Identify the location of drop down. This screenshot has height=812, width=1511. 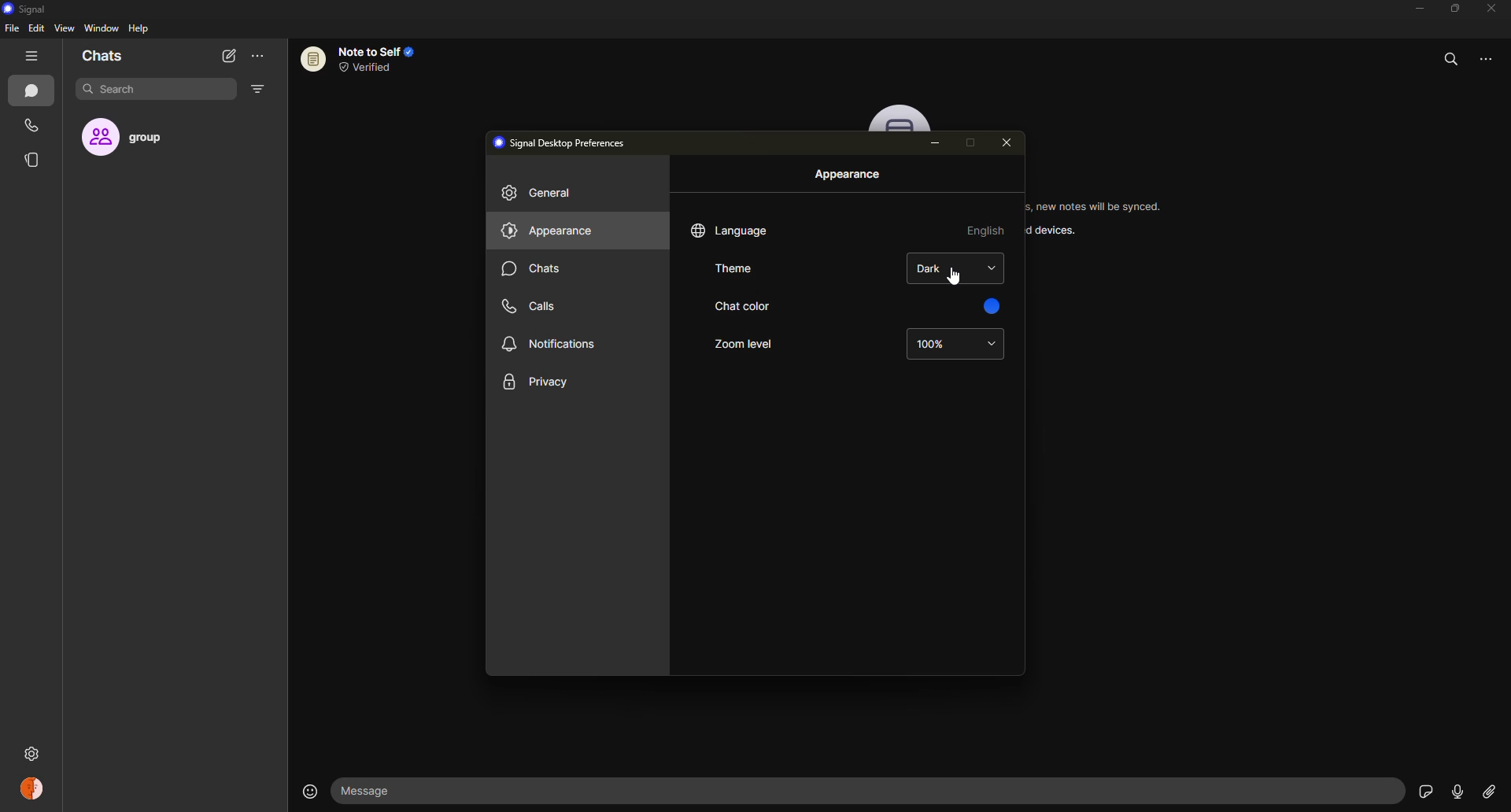
(992, 344).